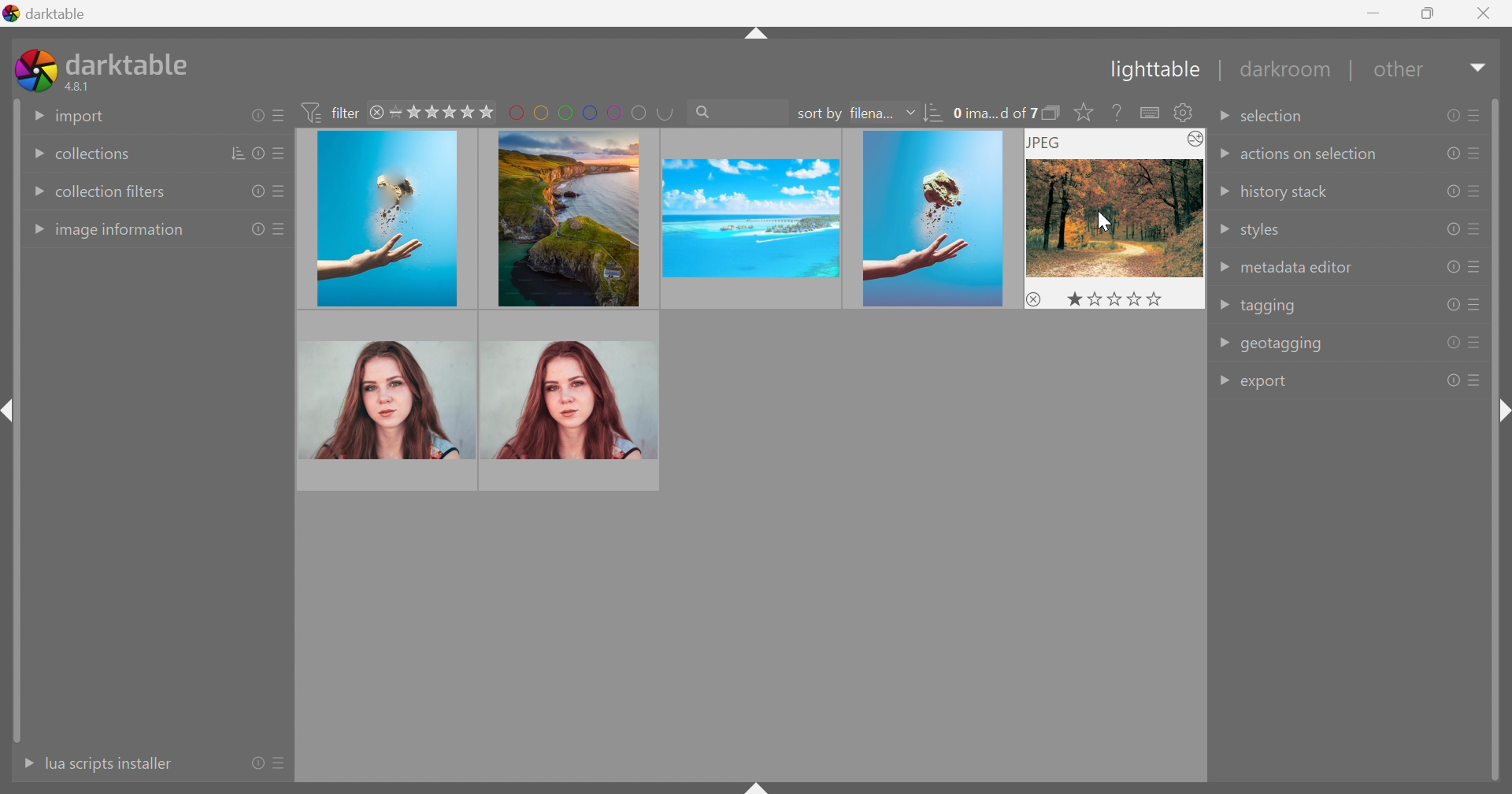 This screenshot has width=1512, height=794. I want to click on Drop Down, so click(1222, 154).